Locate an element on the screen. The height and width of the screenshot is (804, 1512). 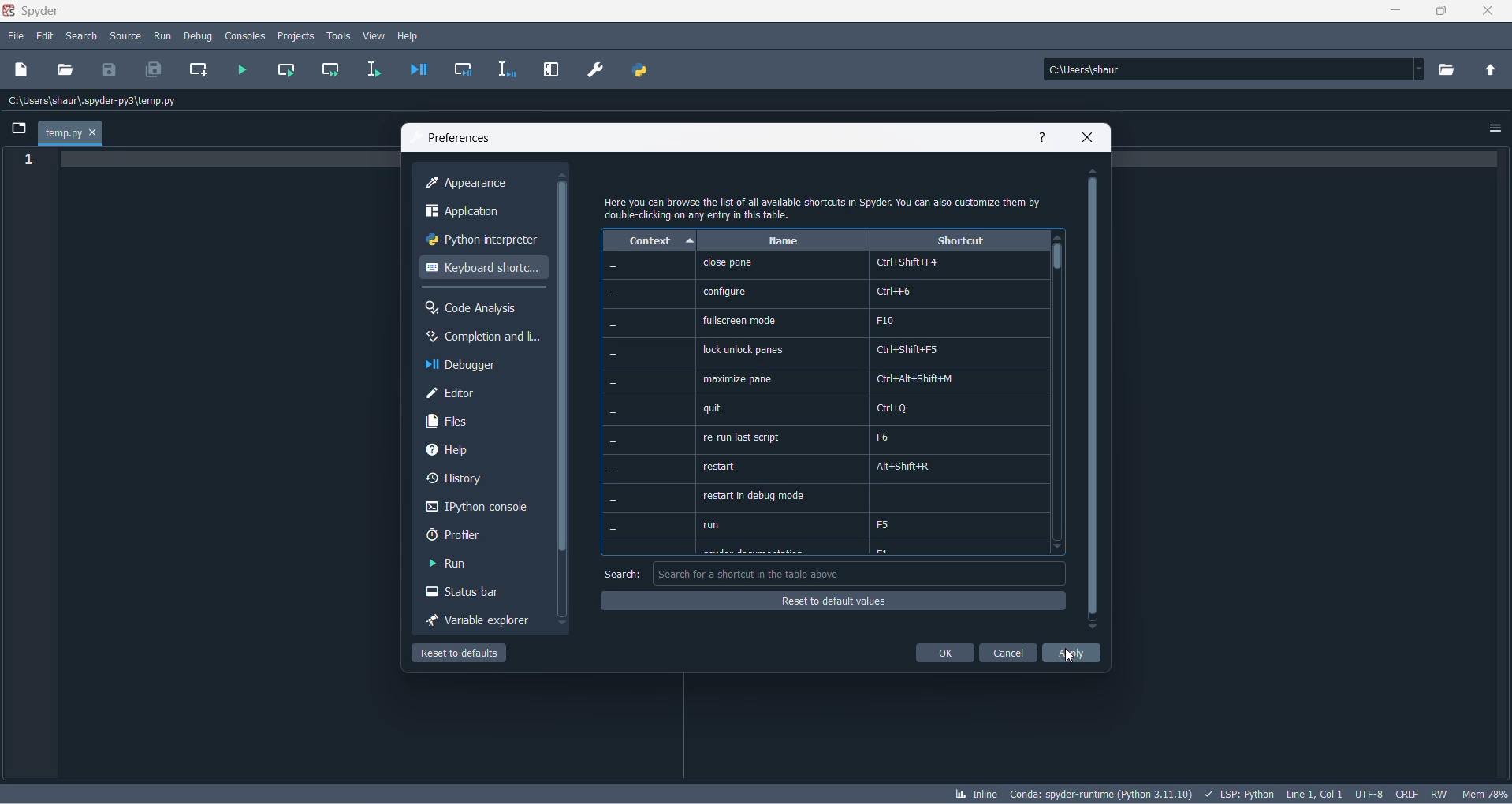
create new cell is located at coordinates (196, 70).